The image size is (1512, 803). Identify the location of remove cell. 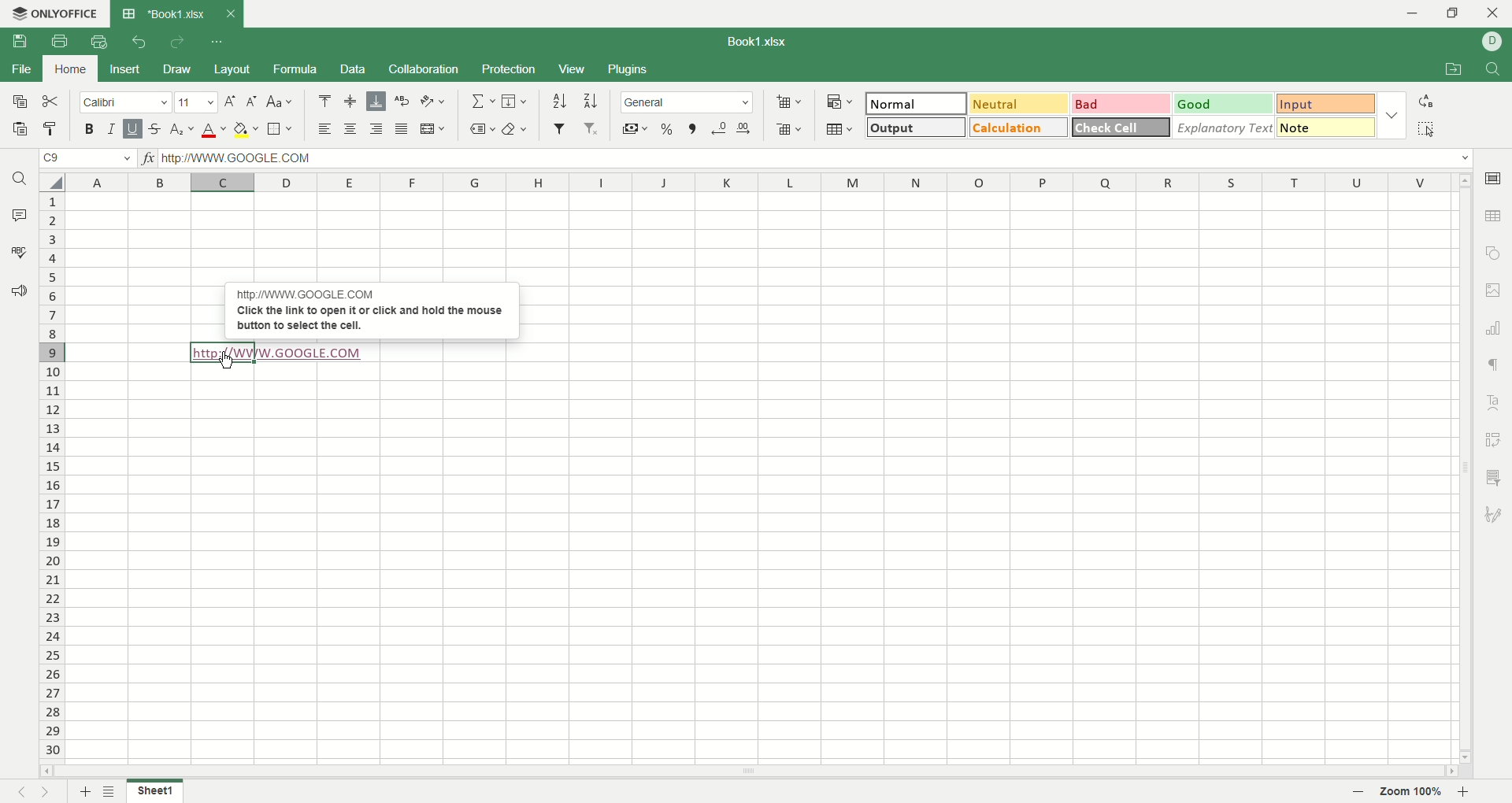
(787, 128).